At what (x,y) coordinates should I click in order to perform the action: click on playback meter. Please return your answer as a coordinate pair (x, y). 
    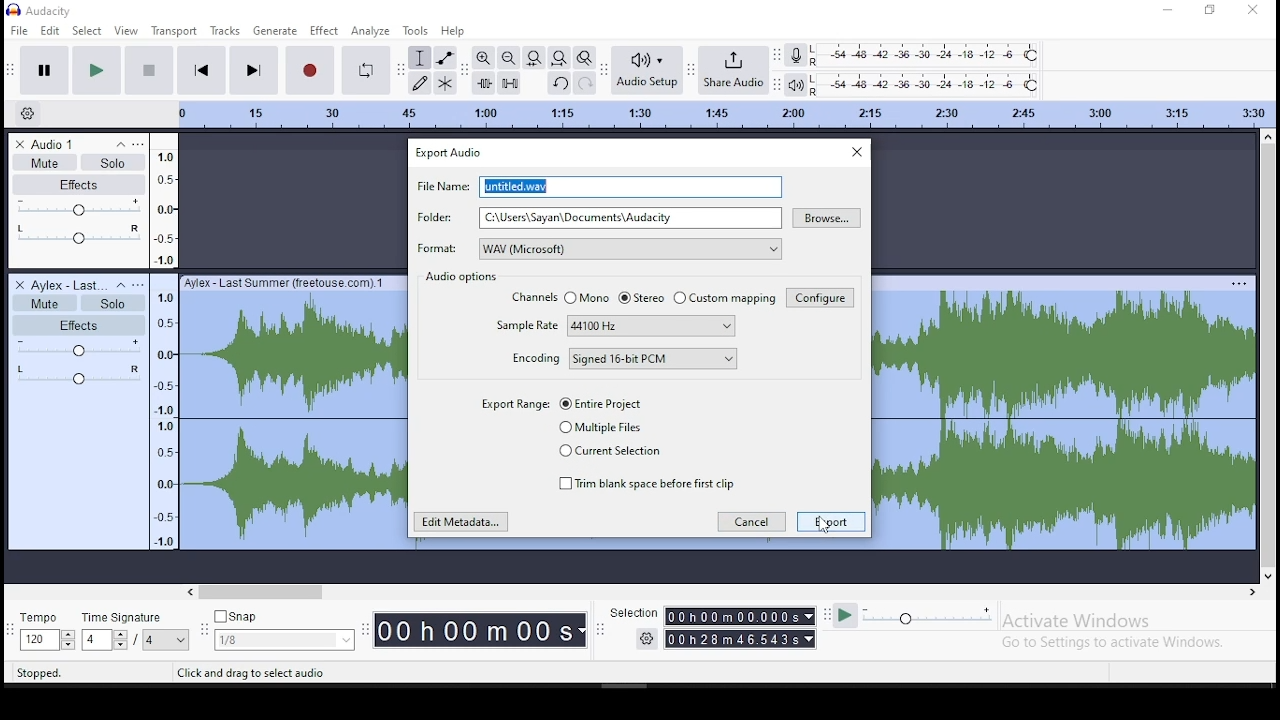
    Looking at the image, I should click on (796, 83).